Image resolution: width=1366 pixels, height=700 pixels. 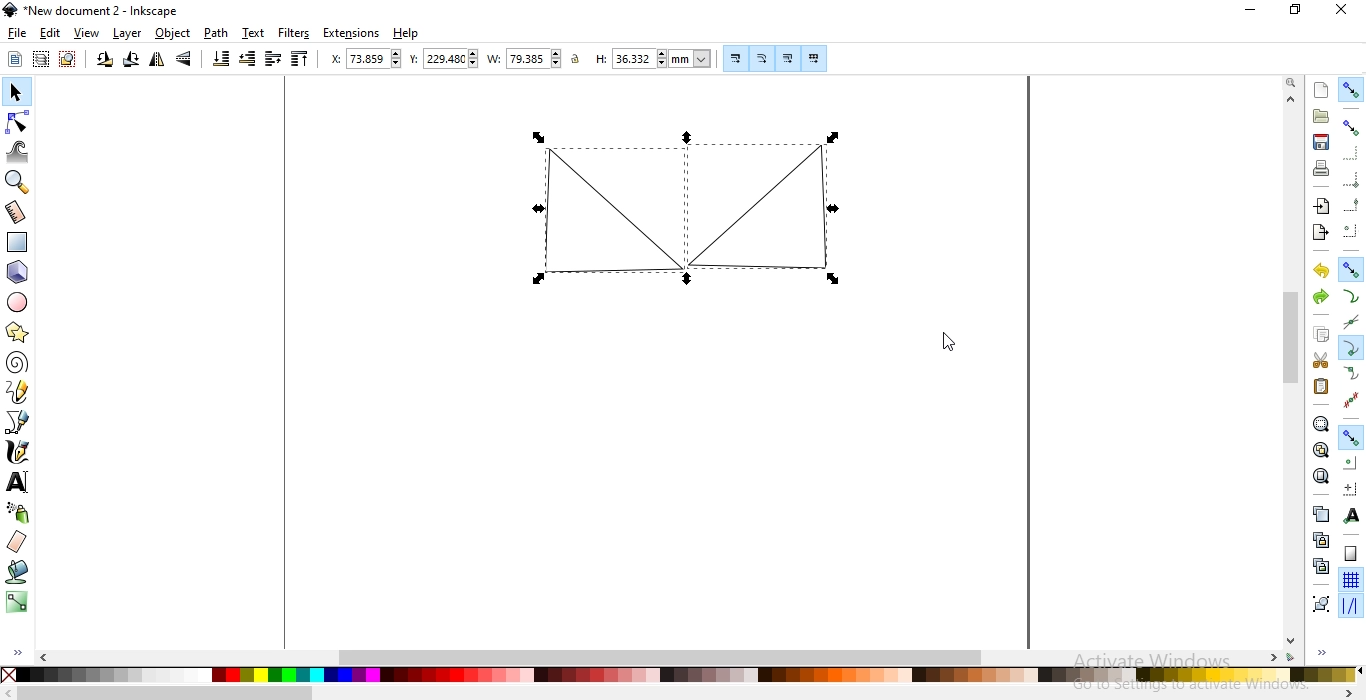 What do you see at coordinates (1320, 513) in the screenshot?
I see `duplicate selected objects` at bounding box center [1320, 513].